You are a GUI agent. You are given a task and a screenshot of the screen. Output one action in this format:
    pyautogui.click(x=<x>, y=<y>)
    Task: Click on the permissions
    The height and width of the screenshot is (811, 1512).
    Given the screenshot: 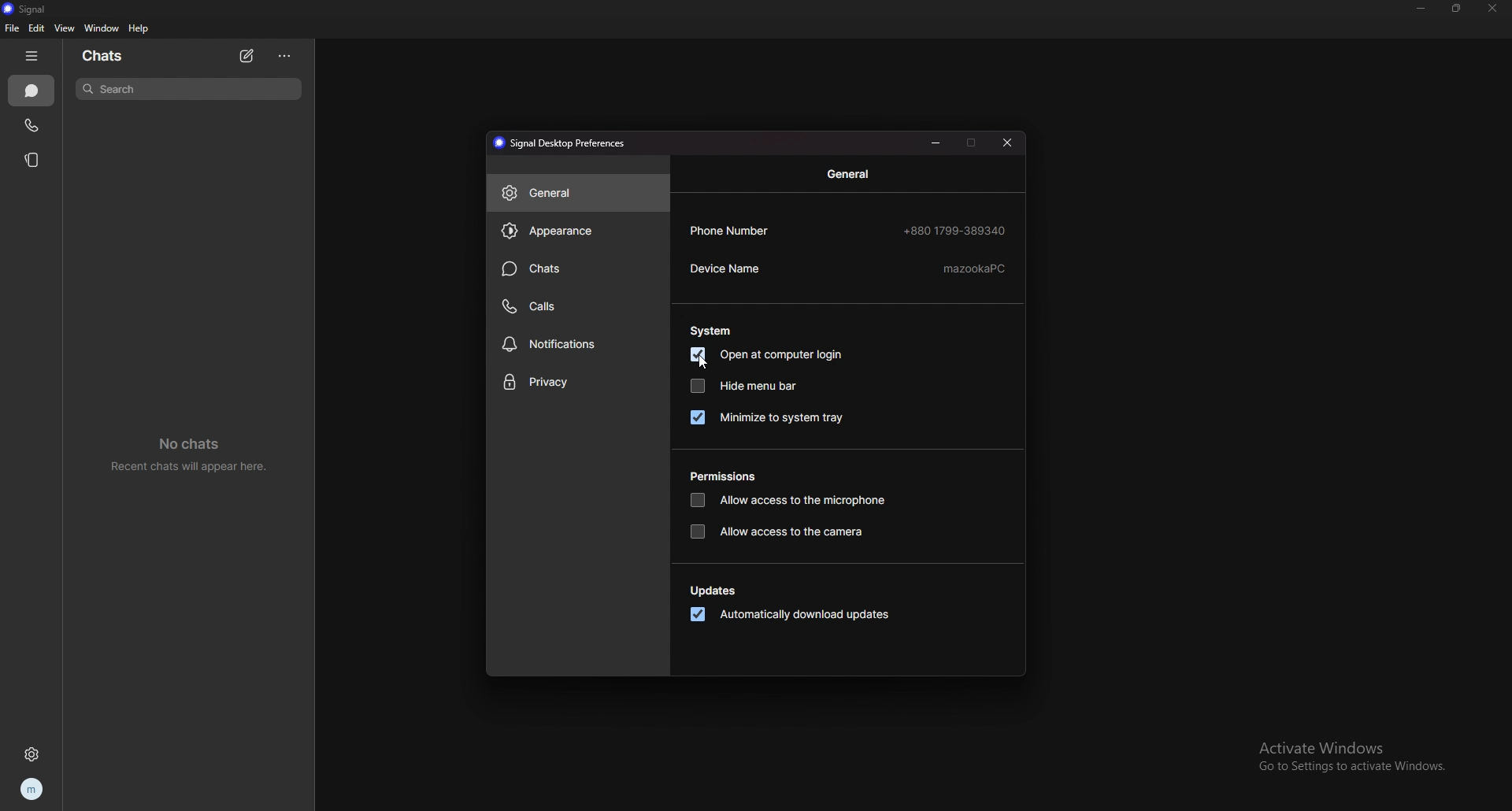 What is the action you would take?
    pyautogui.click(x=728, y=477)
    